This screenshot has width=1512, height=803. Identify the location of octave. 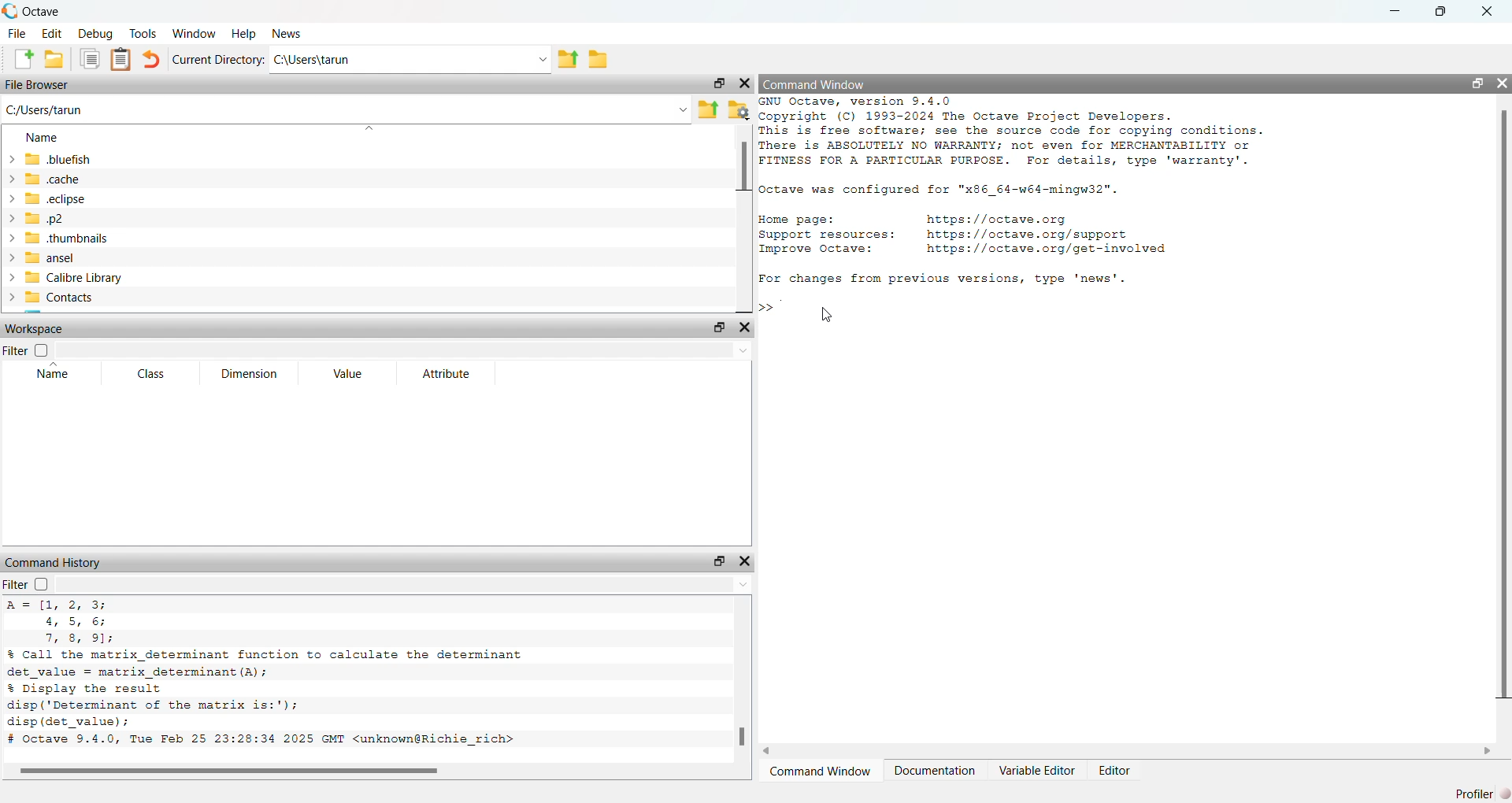
(31, 12).